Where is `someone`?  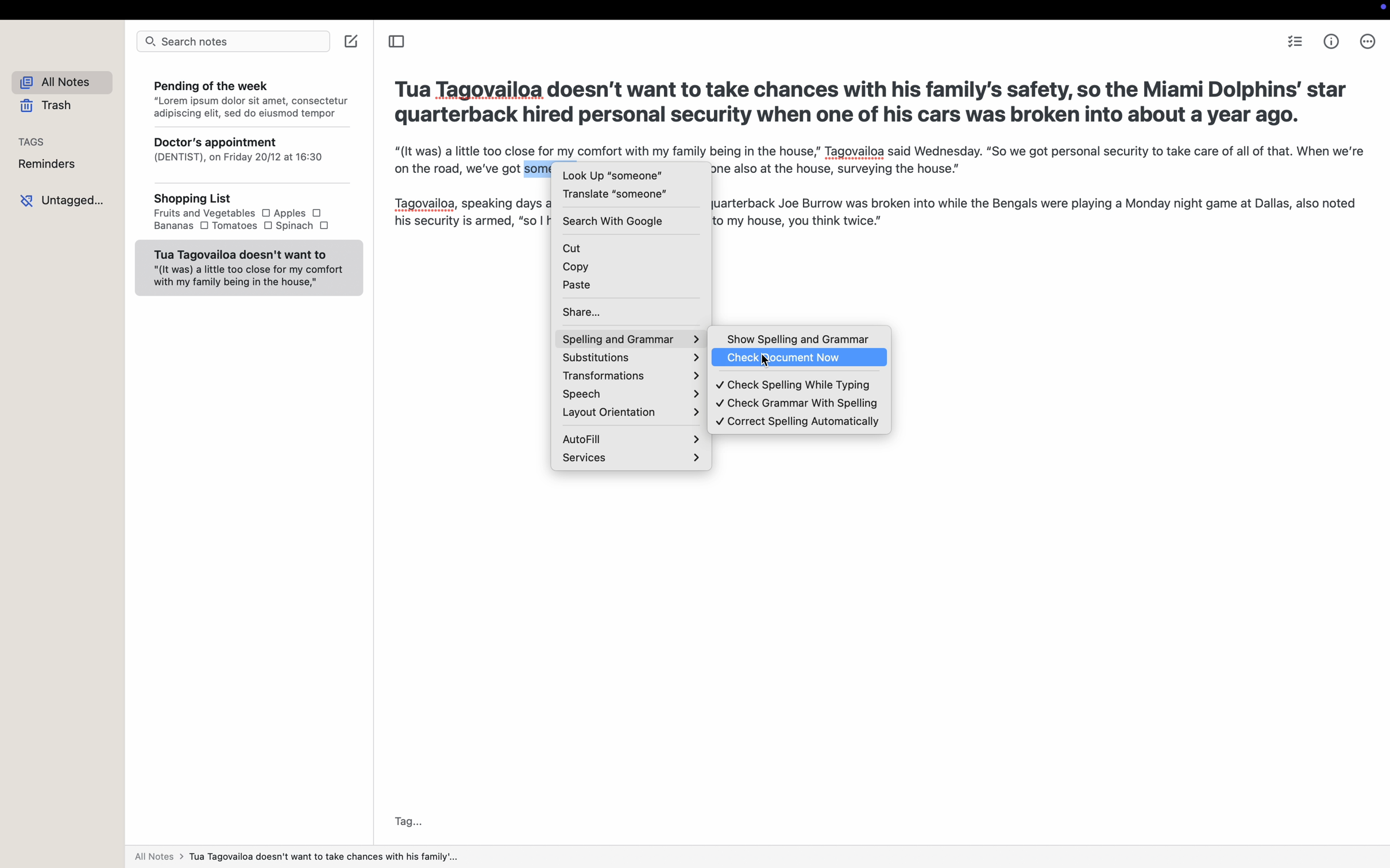 someone is located at coordinates (539, 167).